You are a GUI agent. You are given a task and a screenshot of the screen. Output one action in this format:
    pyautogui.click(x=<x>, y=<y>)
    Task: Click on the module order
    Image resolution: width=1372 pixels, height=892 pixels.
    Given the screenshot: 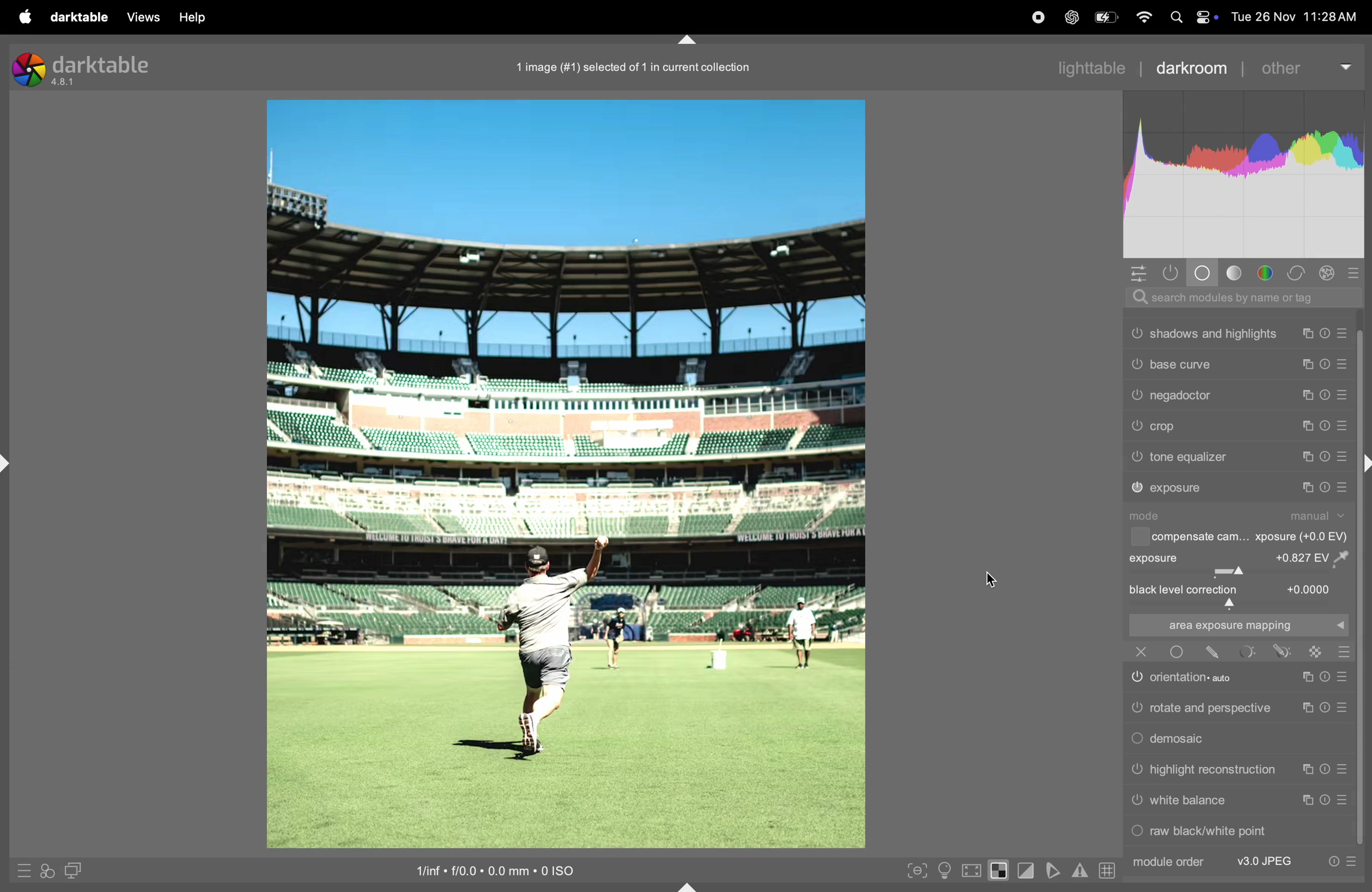 What is the action you would take?
    pyautogui.click(x=1167, y=862)
    